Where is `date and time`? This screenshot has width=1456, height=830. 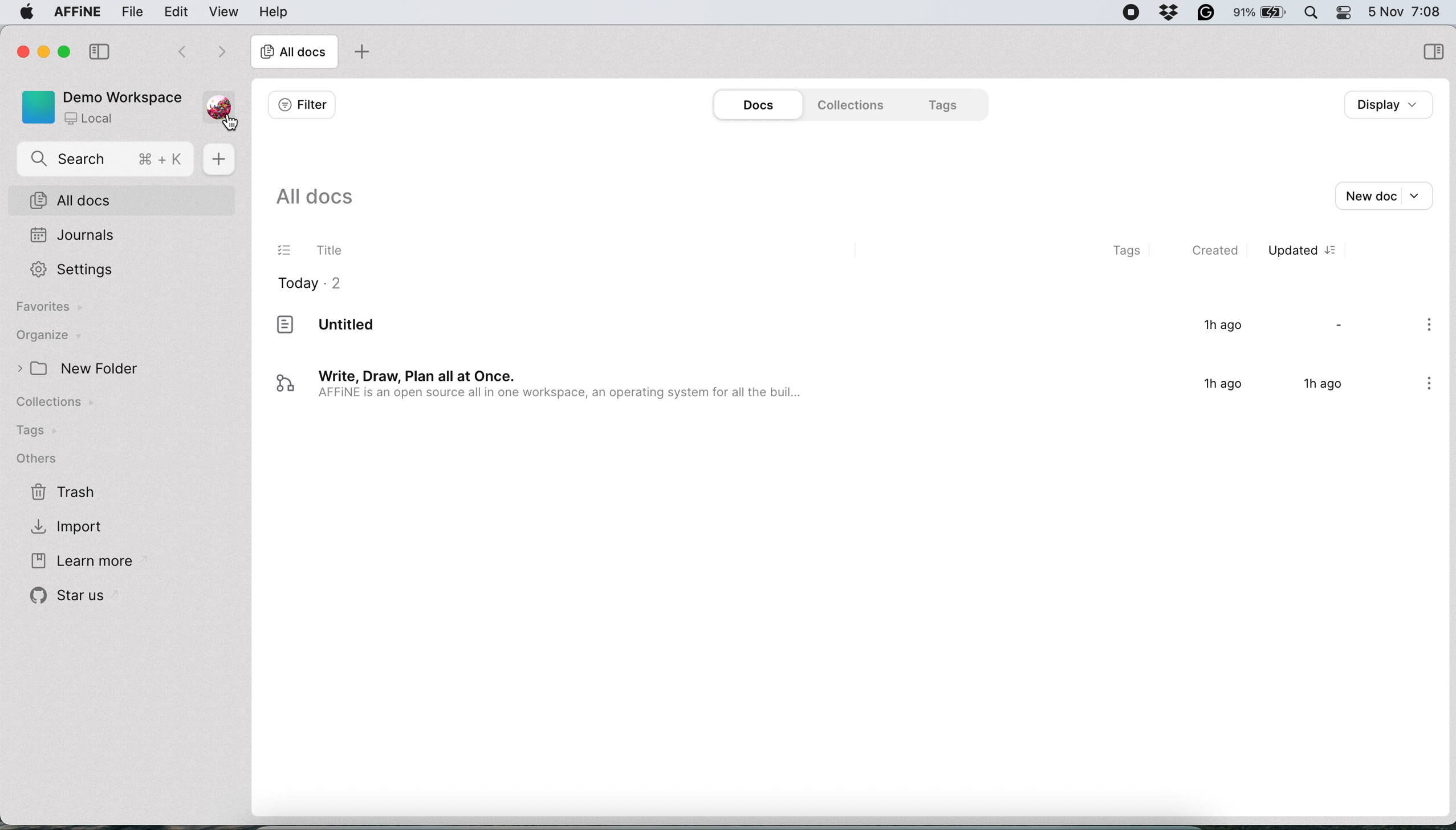
date and time is located at coordinates (1408, 11).